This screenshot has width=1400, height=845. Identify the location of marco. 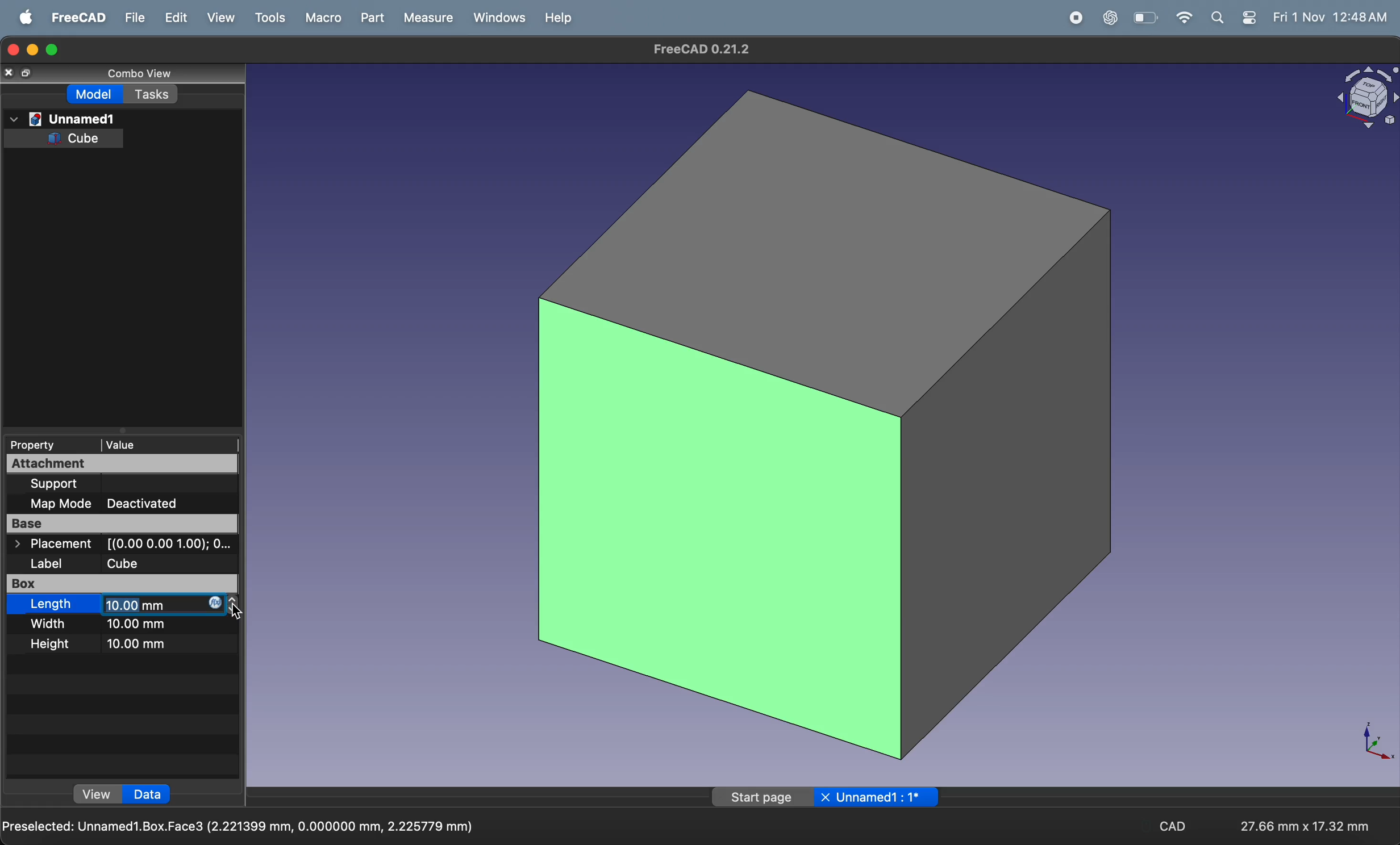
(320, 18).